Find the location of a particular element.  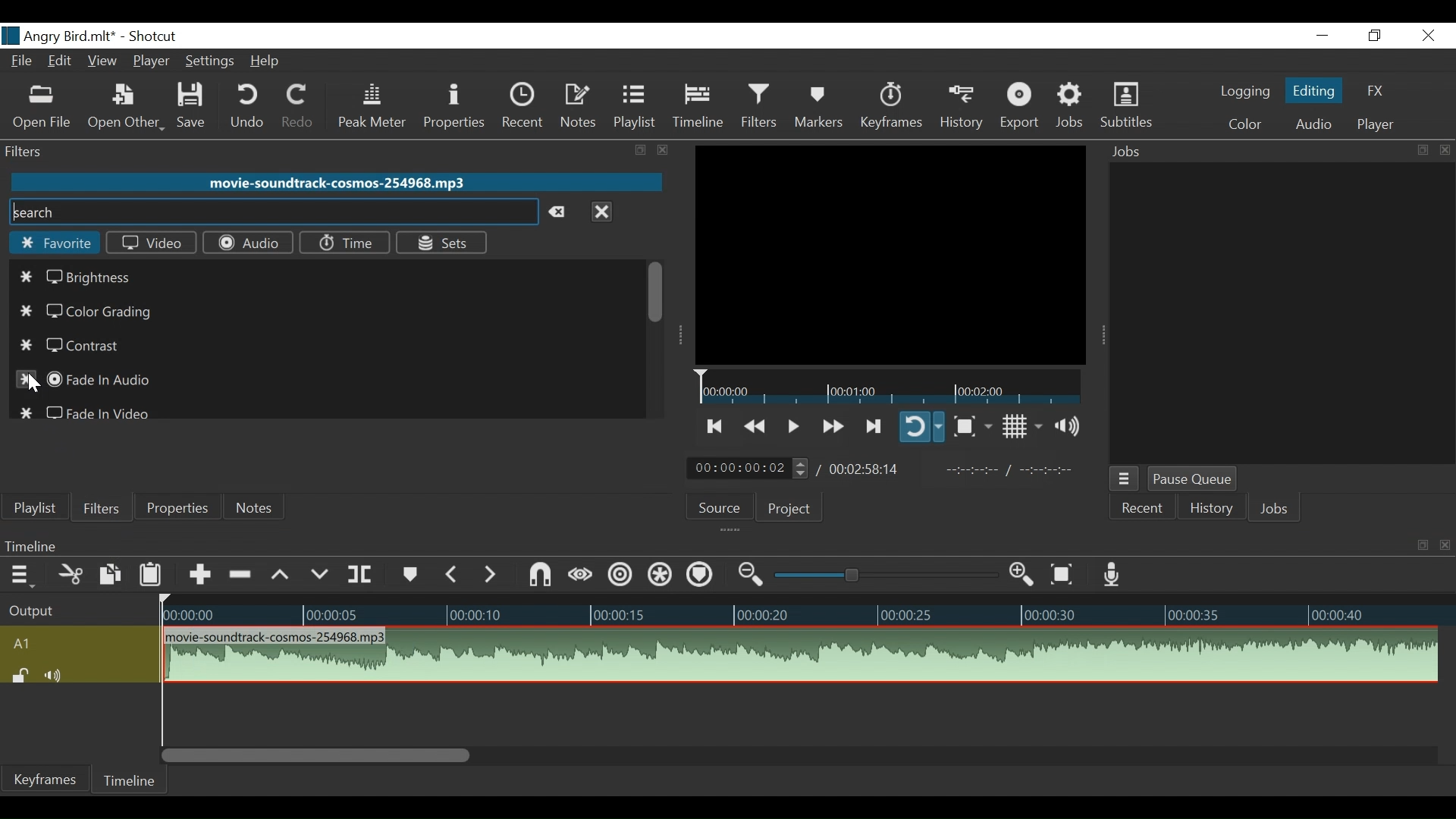

Video is located at coordinates (151, 243).